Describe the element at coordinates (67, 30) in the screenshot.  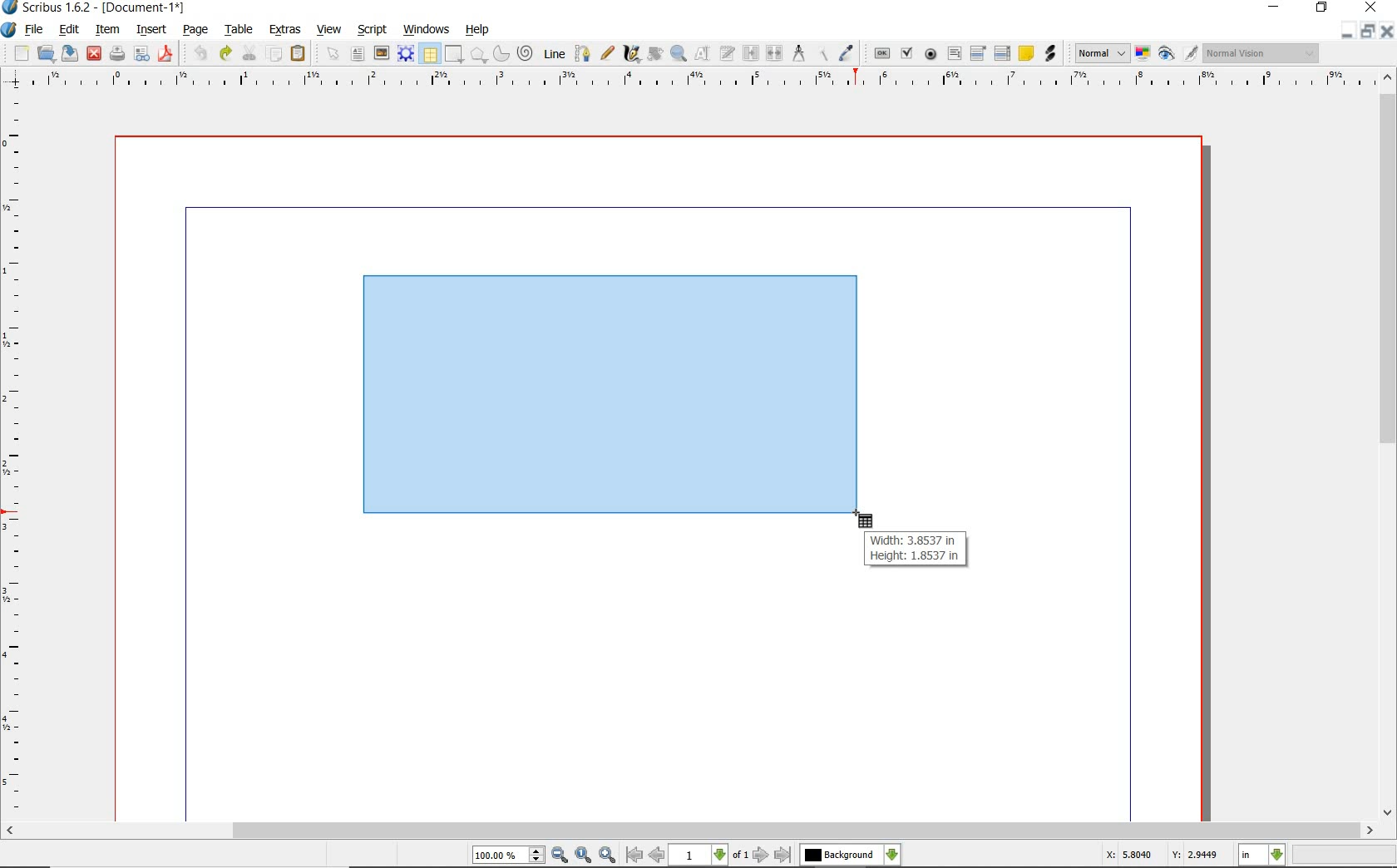
I see `edit` at that location.